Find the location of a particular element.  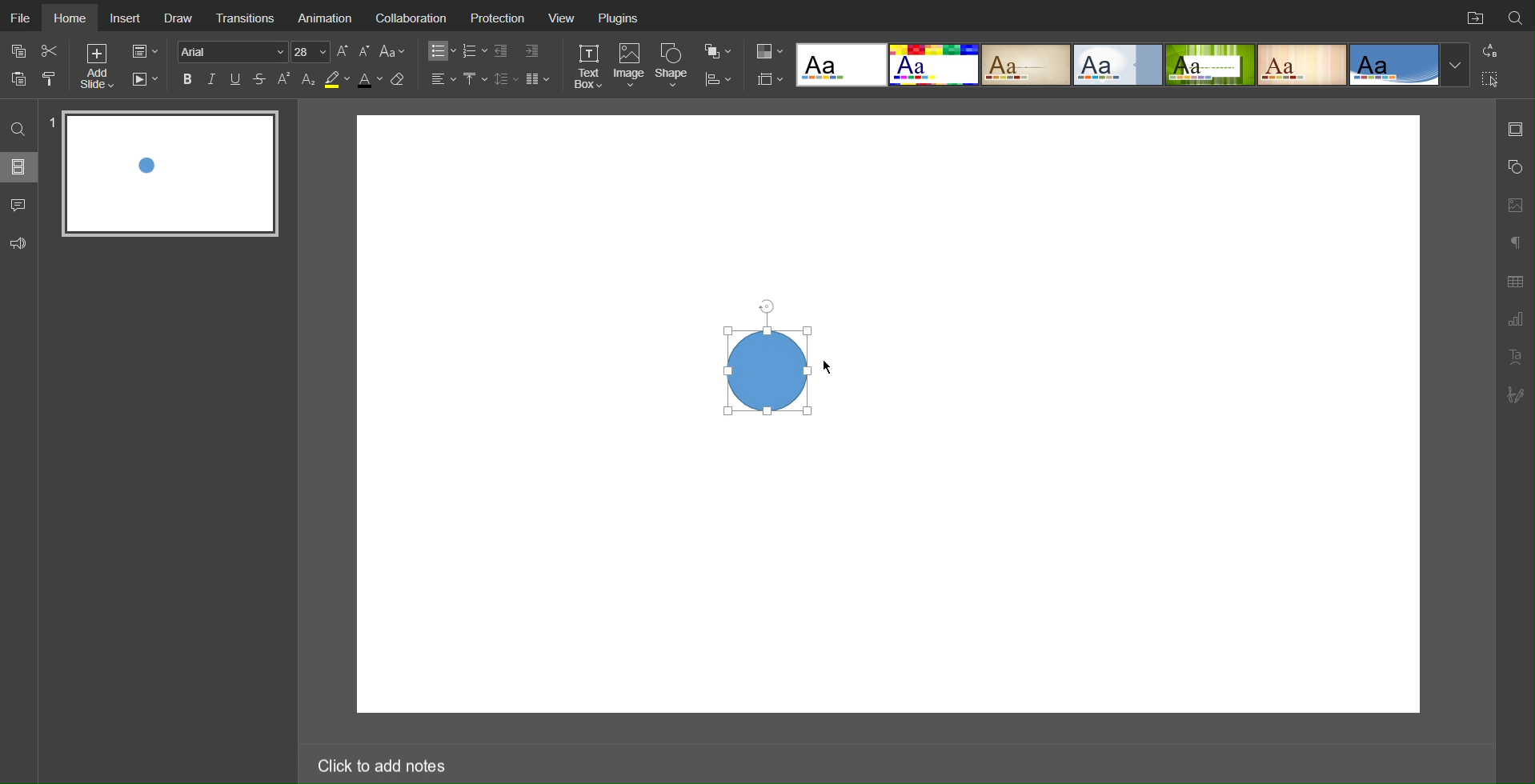

Bullet List is located at coordinates (439, 51).